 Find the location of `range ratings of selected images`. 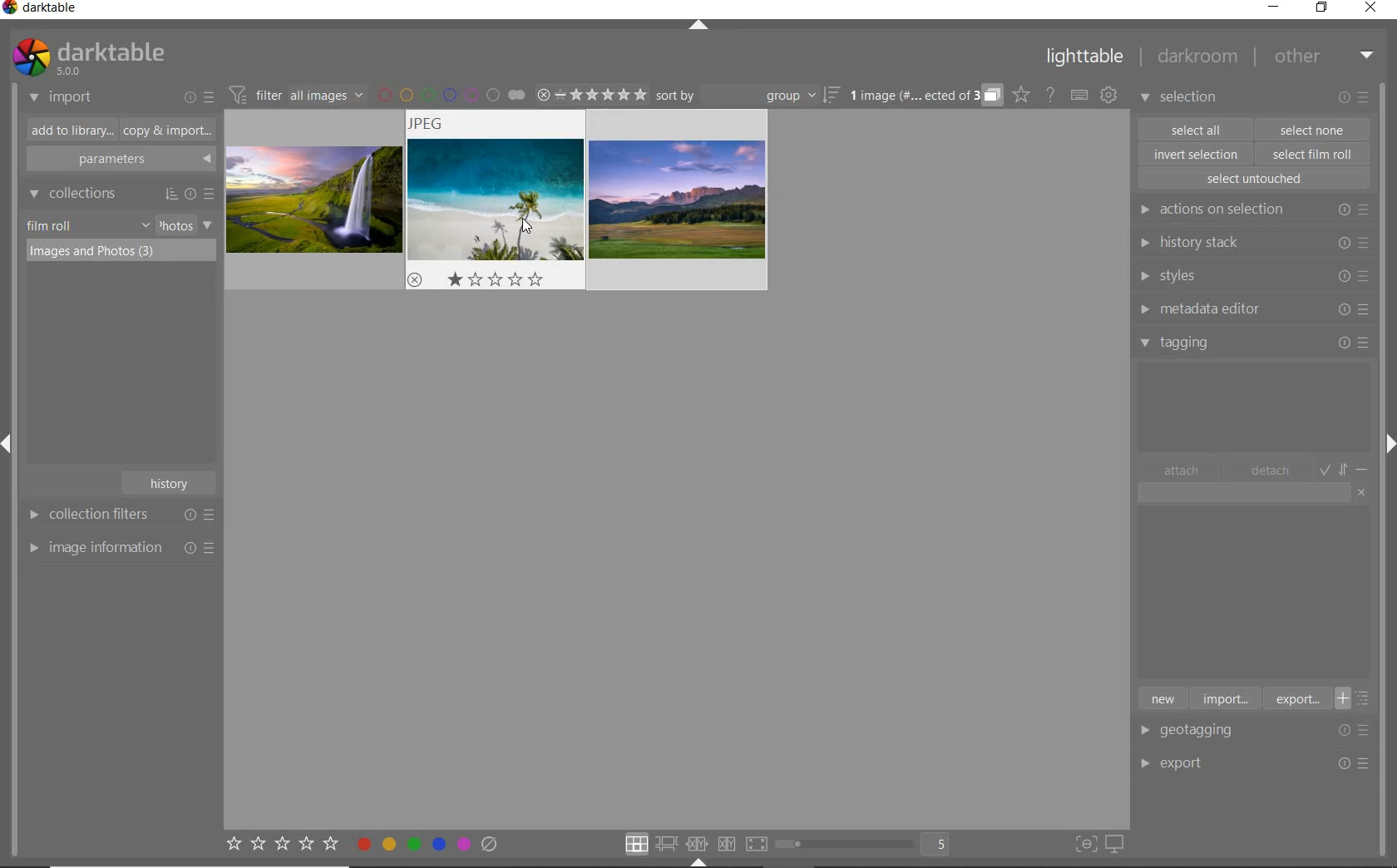

range ratings of selected images is located at coordinates (591, 92).